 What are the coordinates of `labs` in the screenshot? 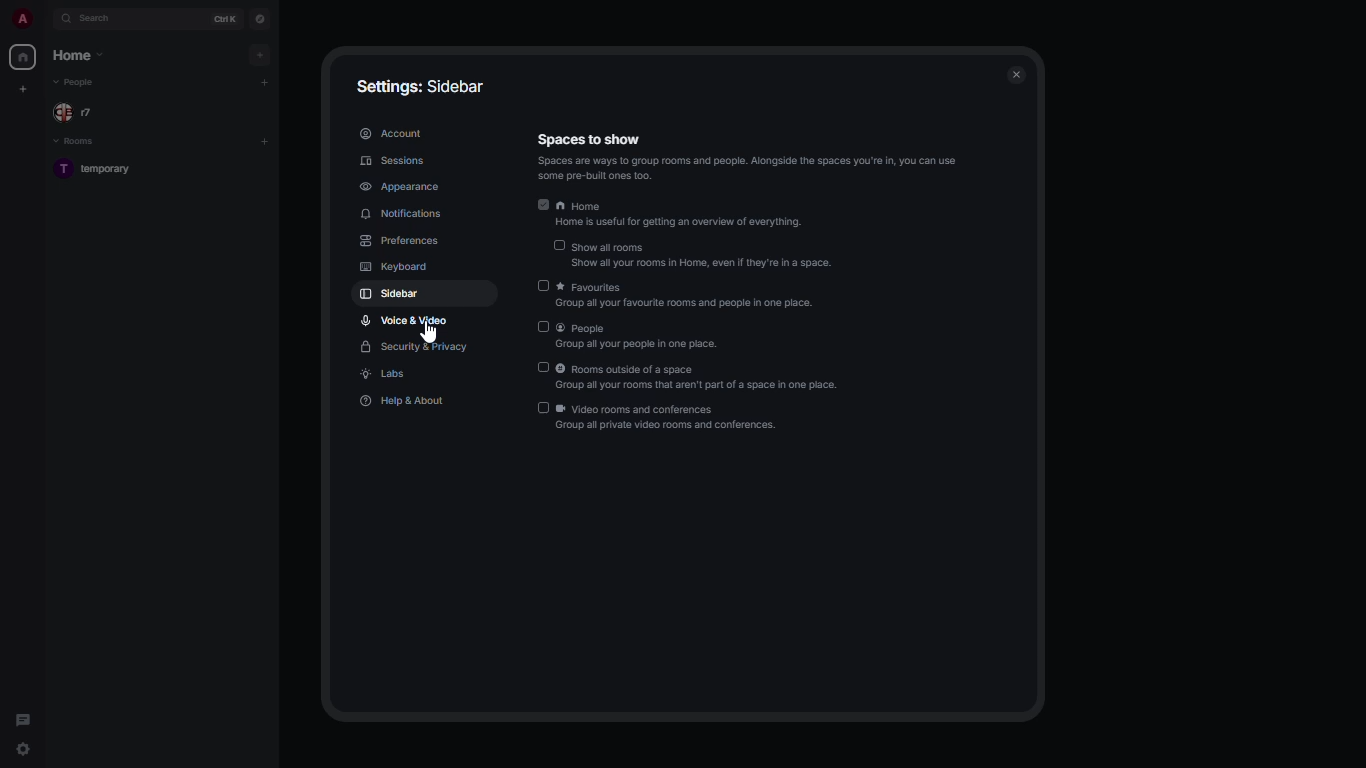 It's located at (386, 375).